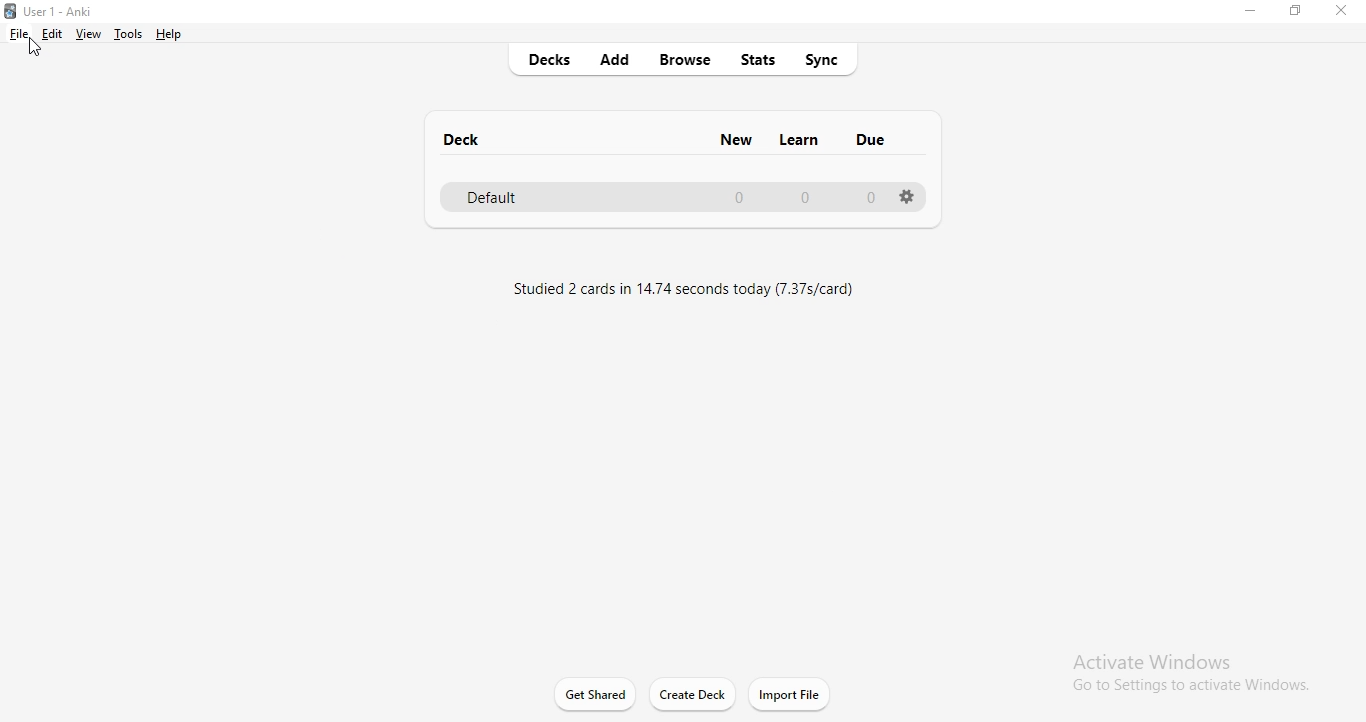 This screenshot has width=1366, height=722. Describe the element at coordinates (829, 59) in the screenshot. I see `sync` at that location.